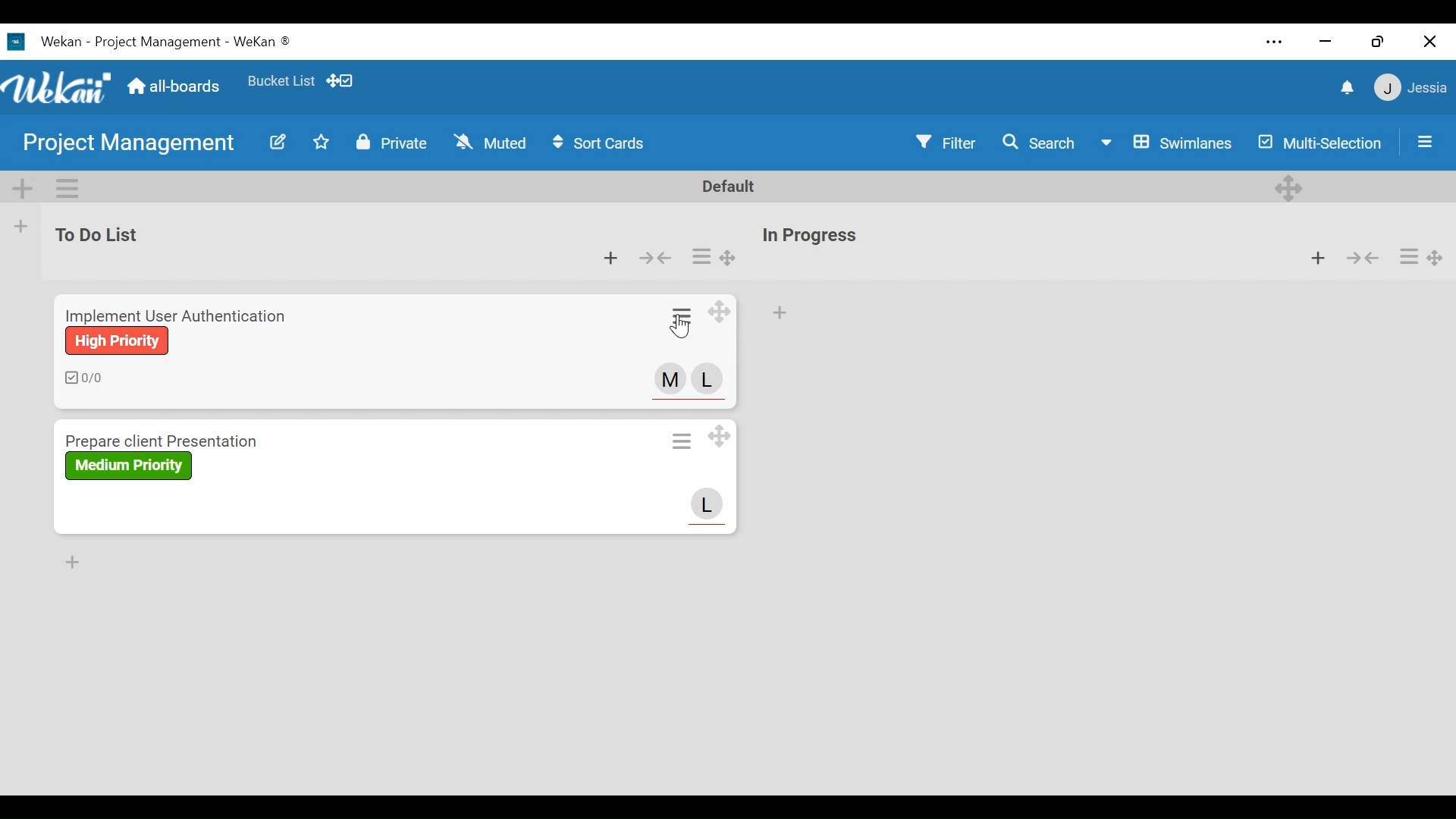 Image resolution: width=1456 pixels, height=819 pixels. Describe the element at coordinates (1317, 142) in the screenshot. I see `Multi-Selection` at that location.